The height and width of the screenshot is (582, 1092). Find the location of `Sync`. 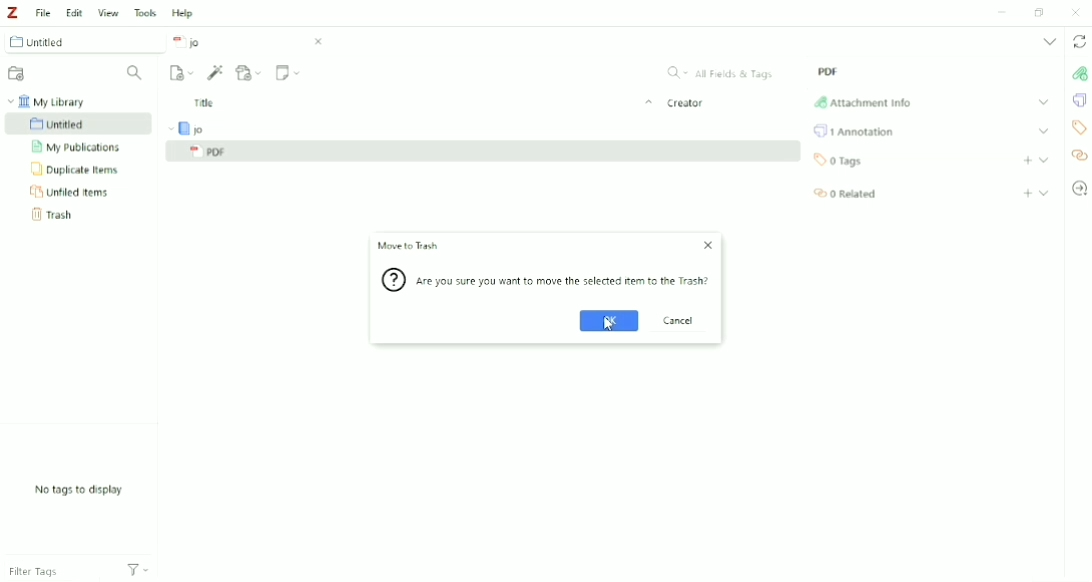

Sync is located at coordinates (1079, 42).